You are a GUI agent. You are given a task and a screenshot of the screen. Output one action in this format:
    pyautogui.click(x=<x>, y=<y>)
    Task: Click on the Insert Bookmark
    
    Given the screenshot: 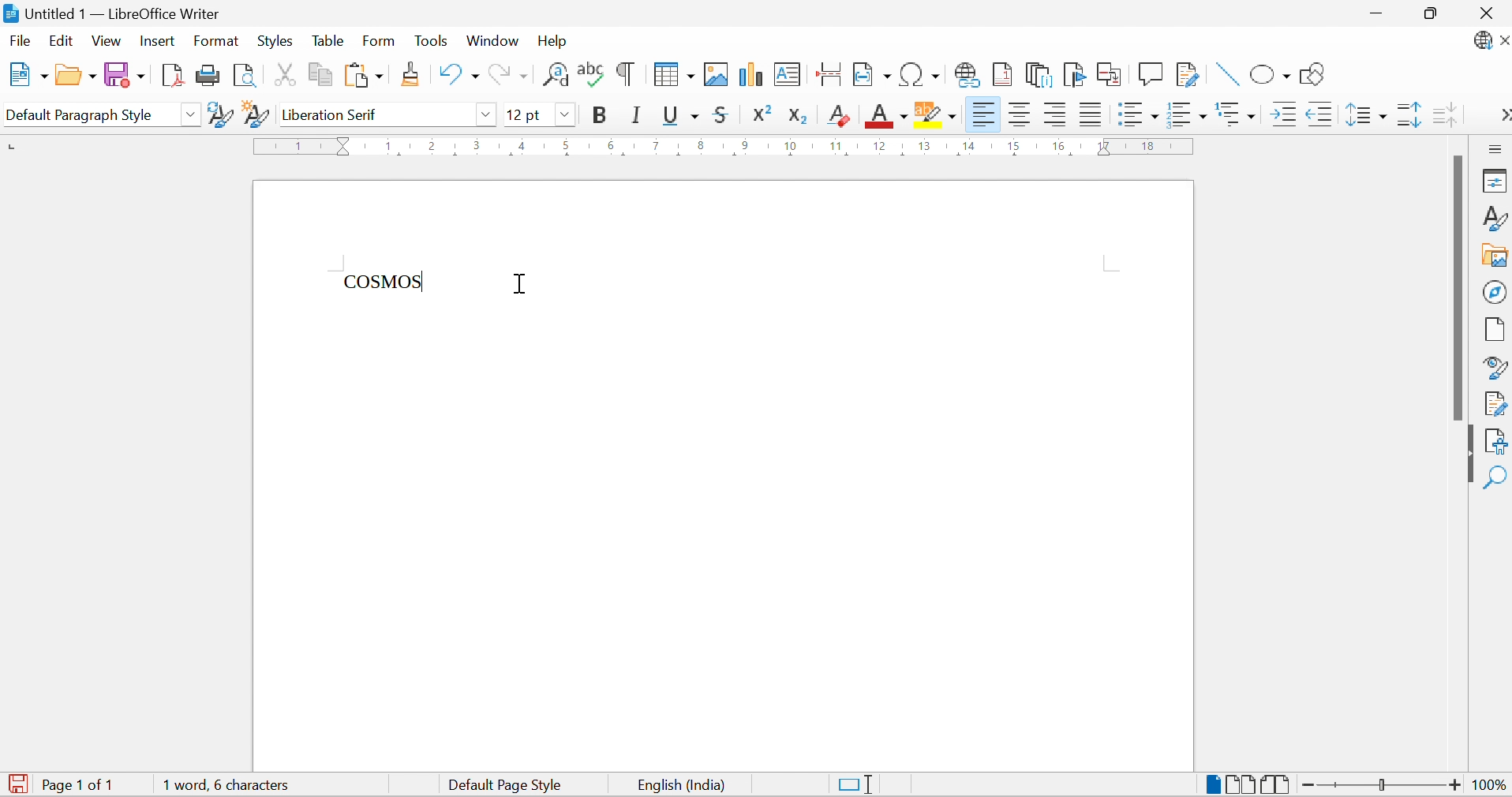 What is the action you would take?
    pyautogui.click(x=1074, y=74)
    